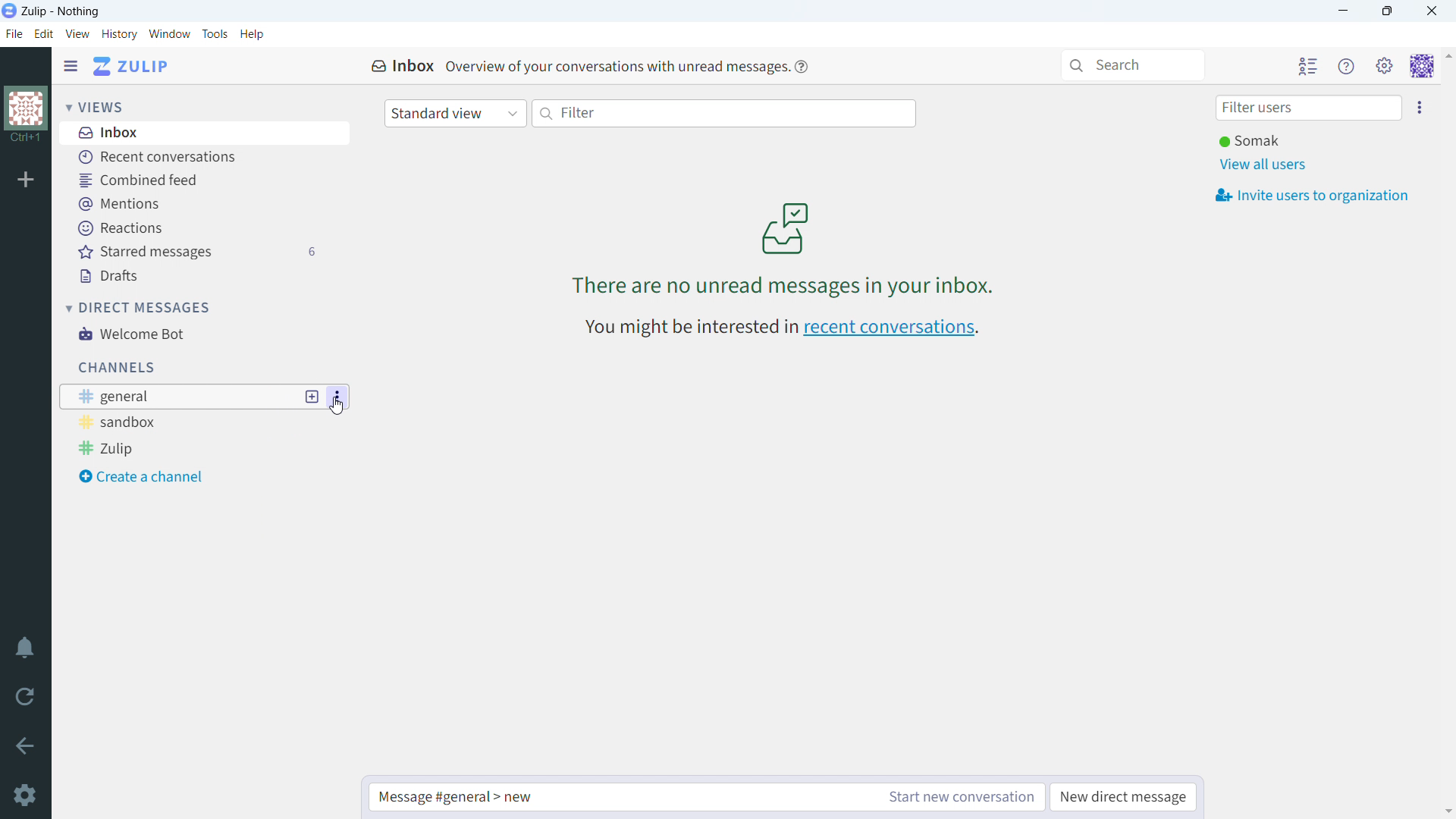  Describe the element at coordinates (45, 33) in the screenshot. I see `edit` at that location.